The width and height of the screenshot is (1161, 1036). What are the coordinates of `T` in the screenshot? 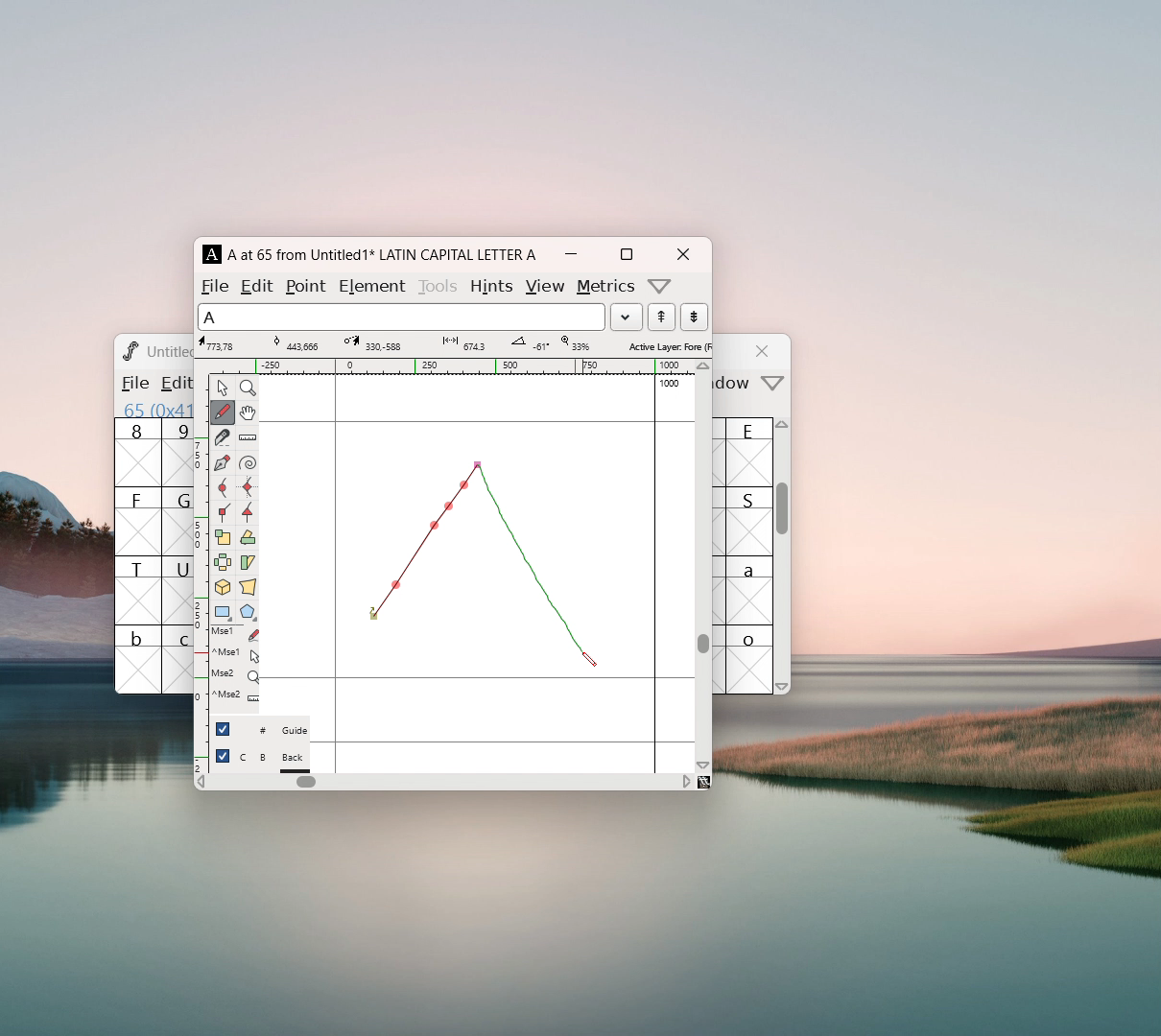 It's located at (138, 590).